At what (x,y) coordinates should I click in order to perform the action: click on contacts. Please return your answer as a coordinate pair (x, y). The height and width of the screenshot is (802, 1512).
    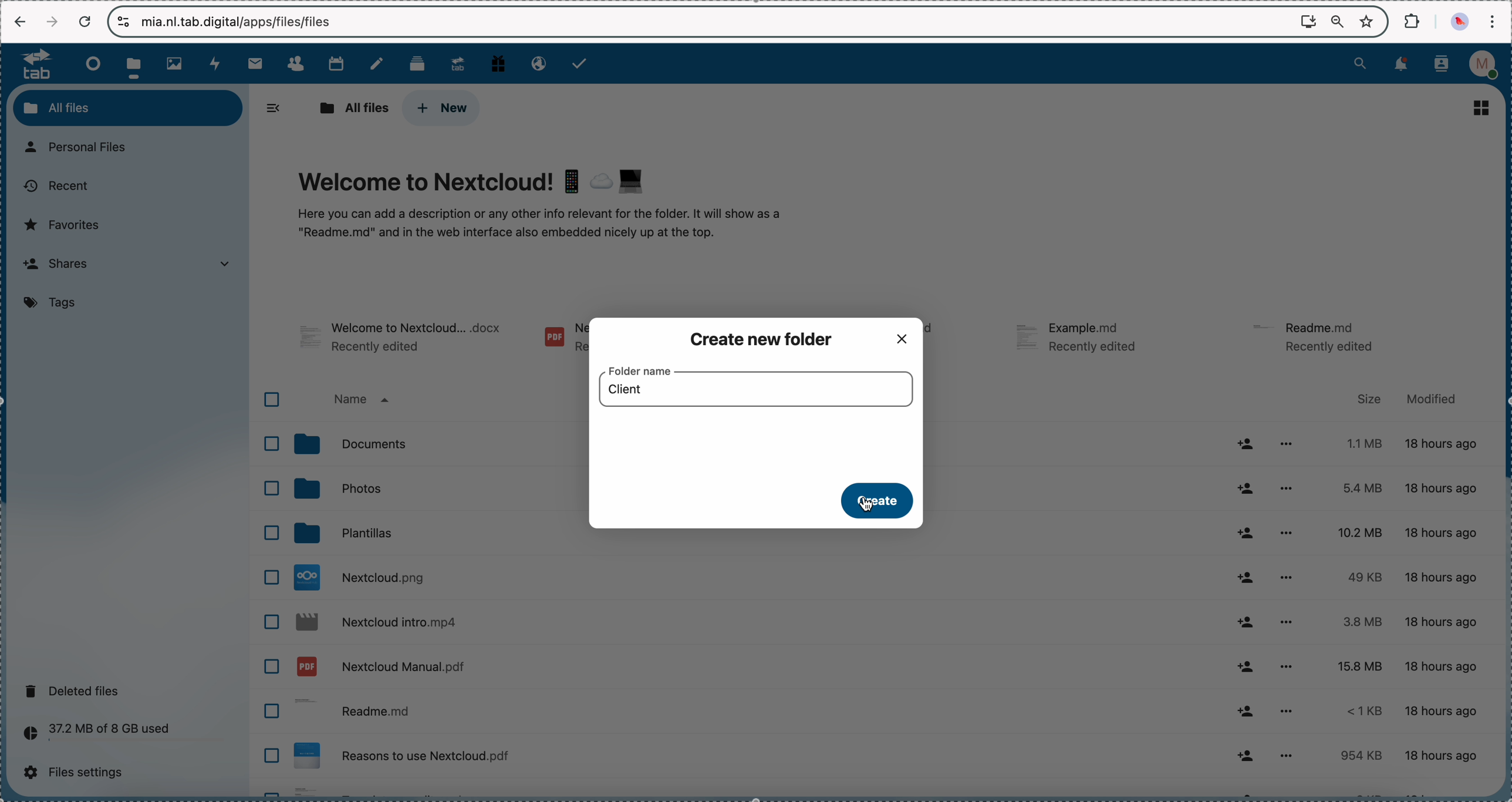
    Looking at the image, I should click on (295, 64).